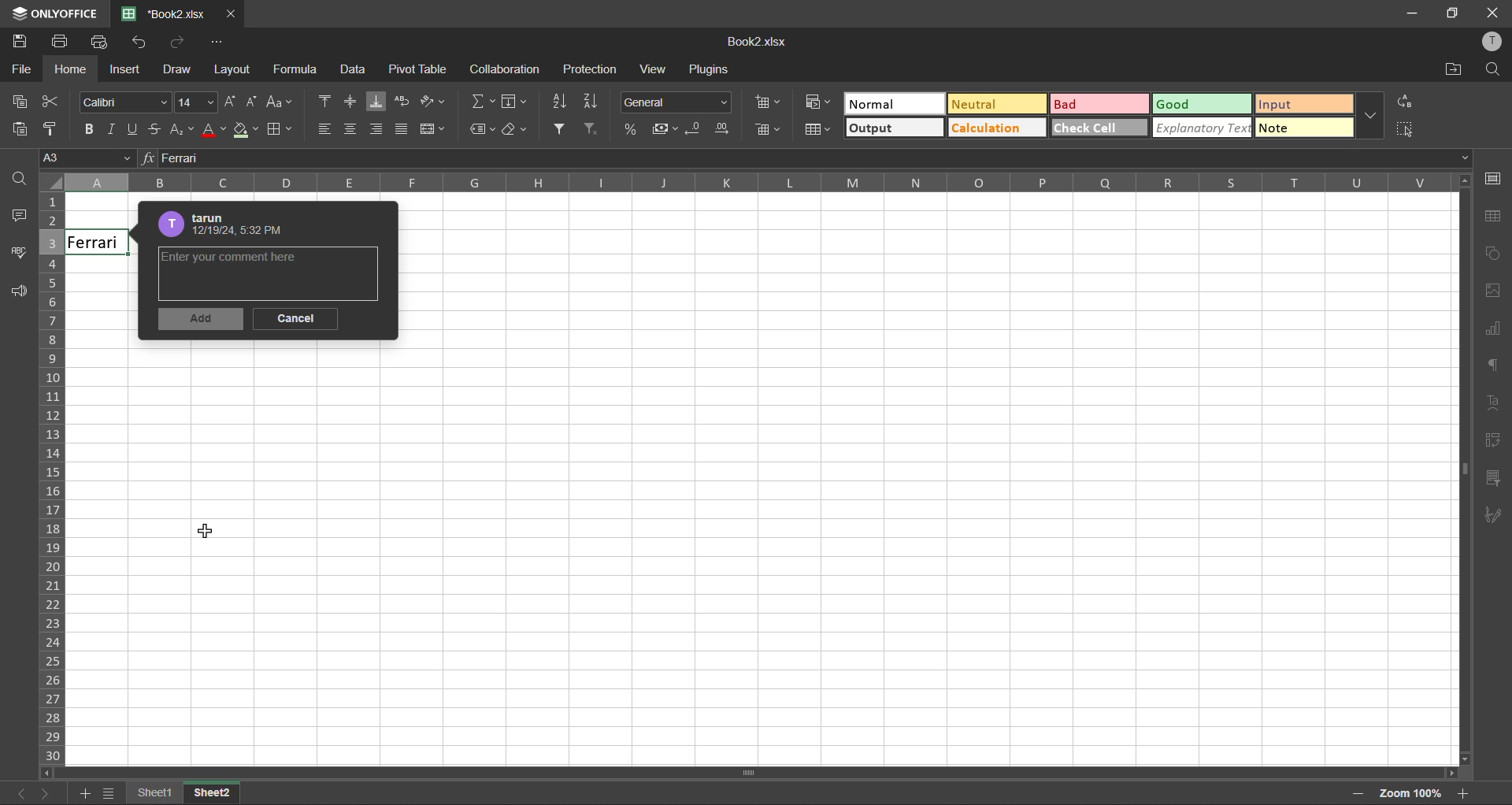 The height and width of the screenshot is (805, 1512). I want to click on change case, so click(278, 103).